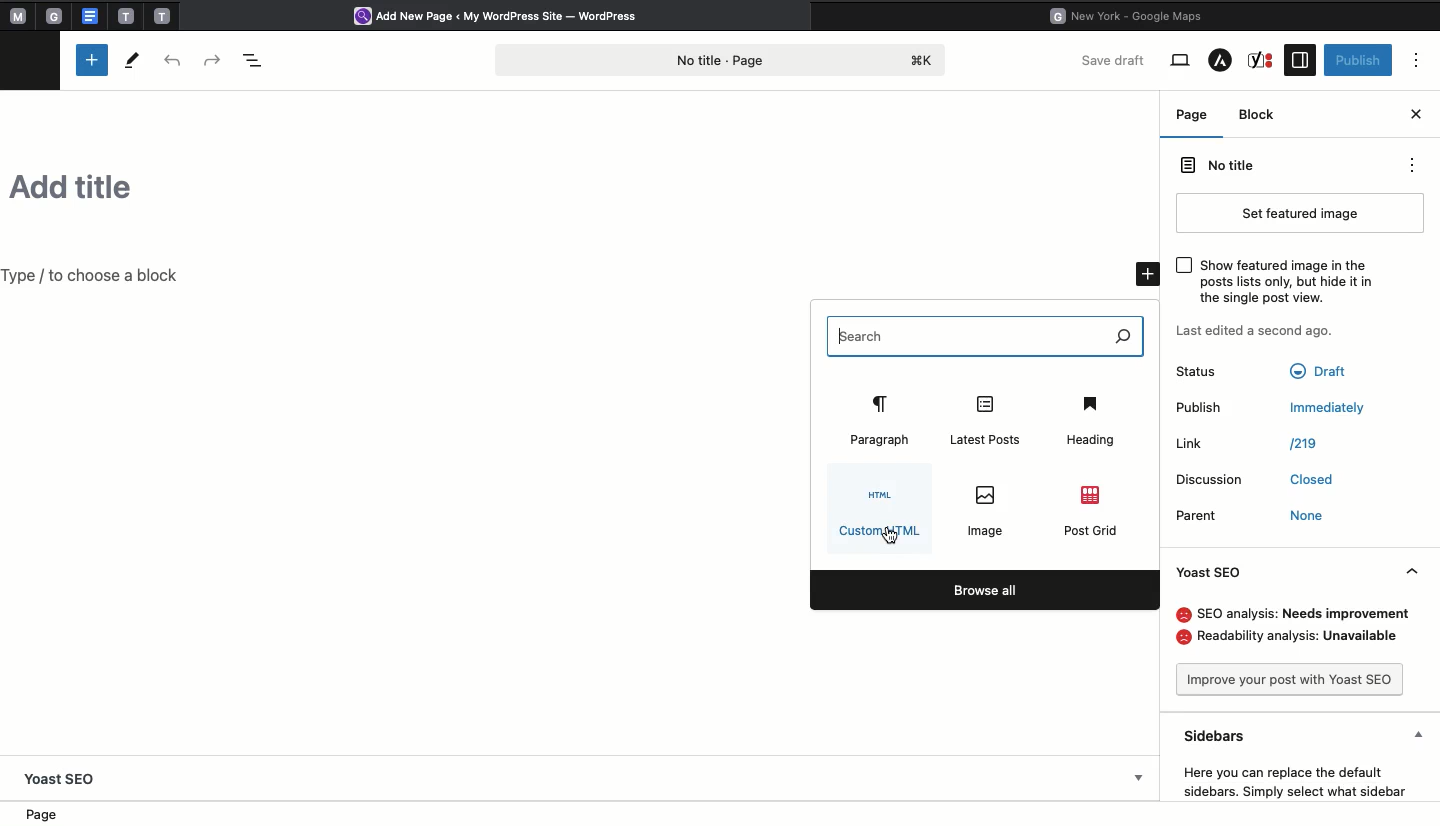 The height and width of the screenshot is (826, 1440). I want to click on Publish, so click(1274, 413).